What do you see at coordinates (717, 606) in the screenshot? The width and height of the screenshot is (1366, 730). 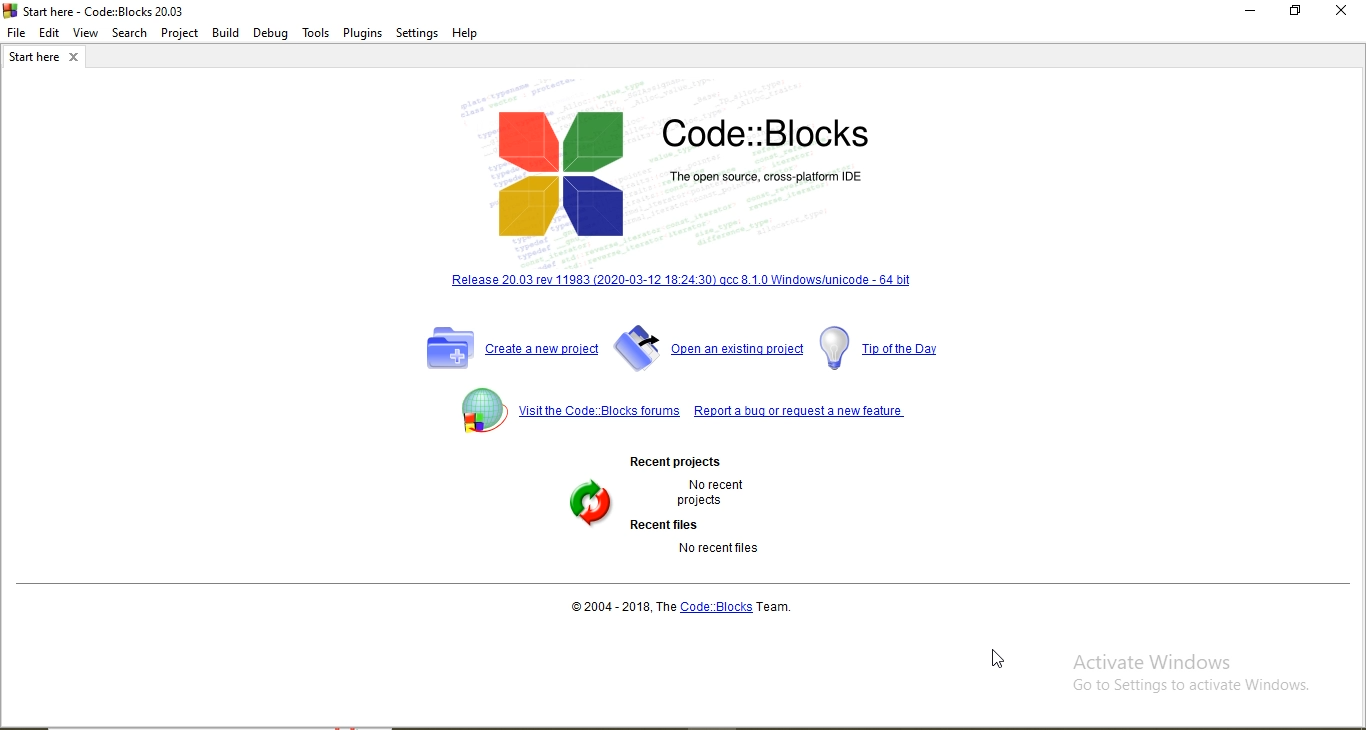 I see `Code :: Blocks ` at bounding box center [717, 606].